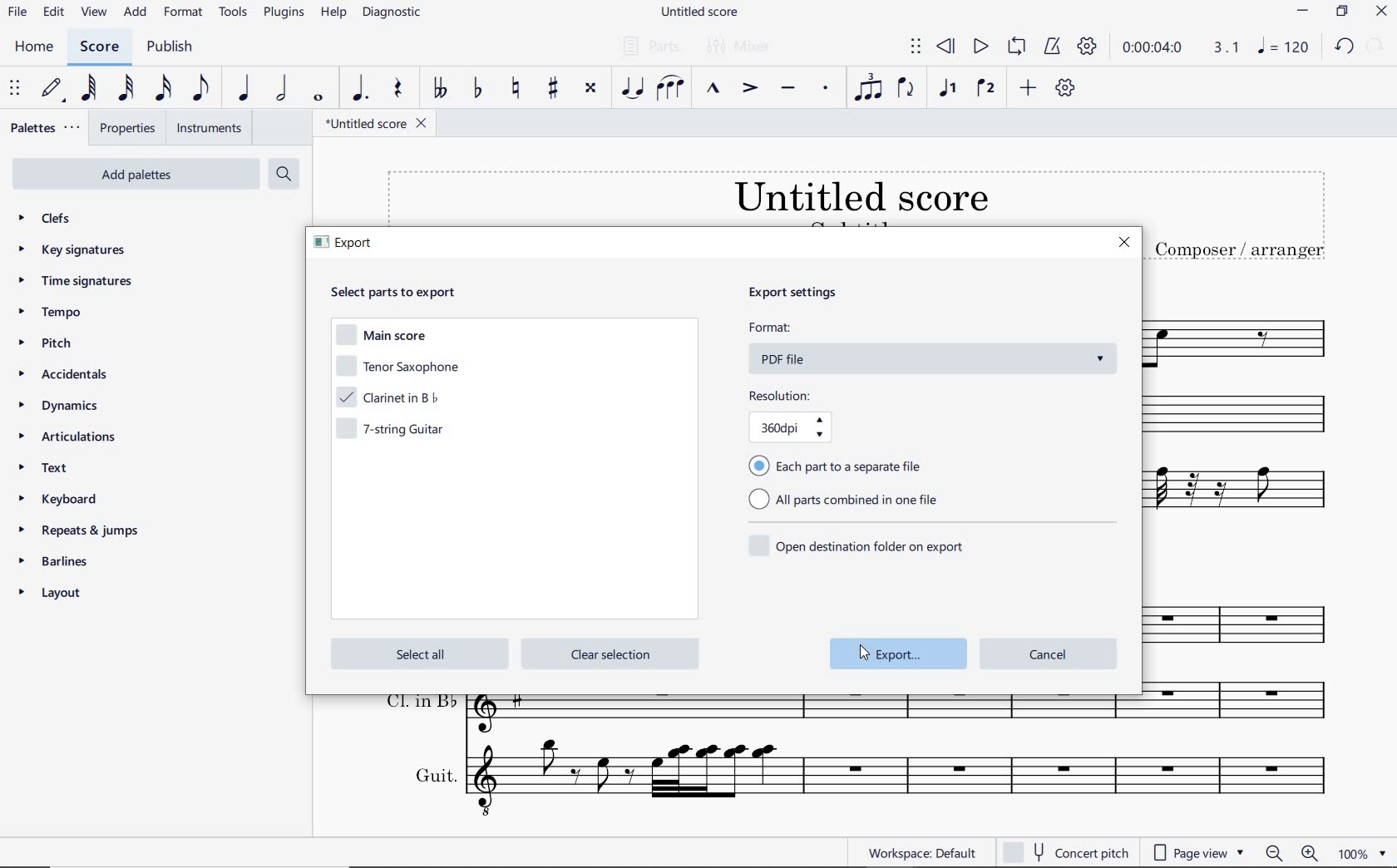  Describe the element at coordinates (394, 397) in the screenshot. I see `clarinet in b (marked)` at that location.